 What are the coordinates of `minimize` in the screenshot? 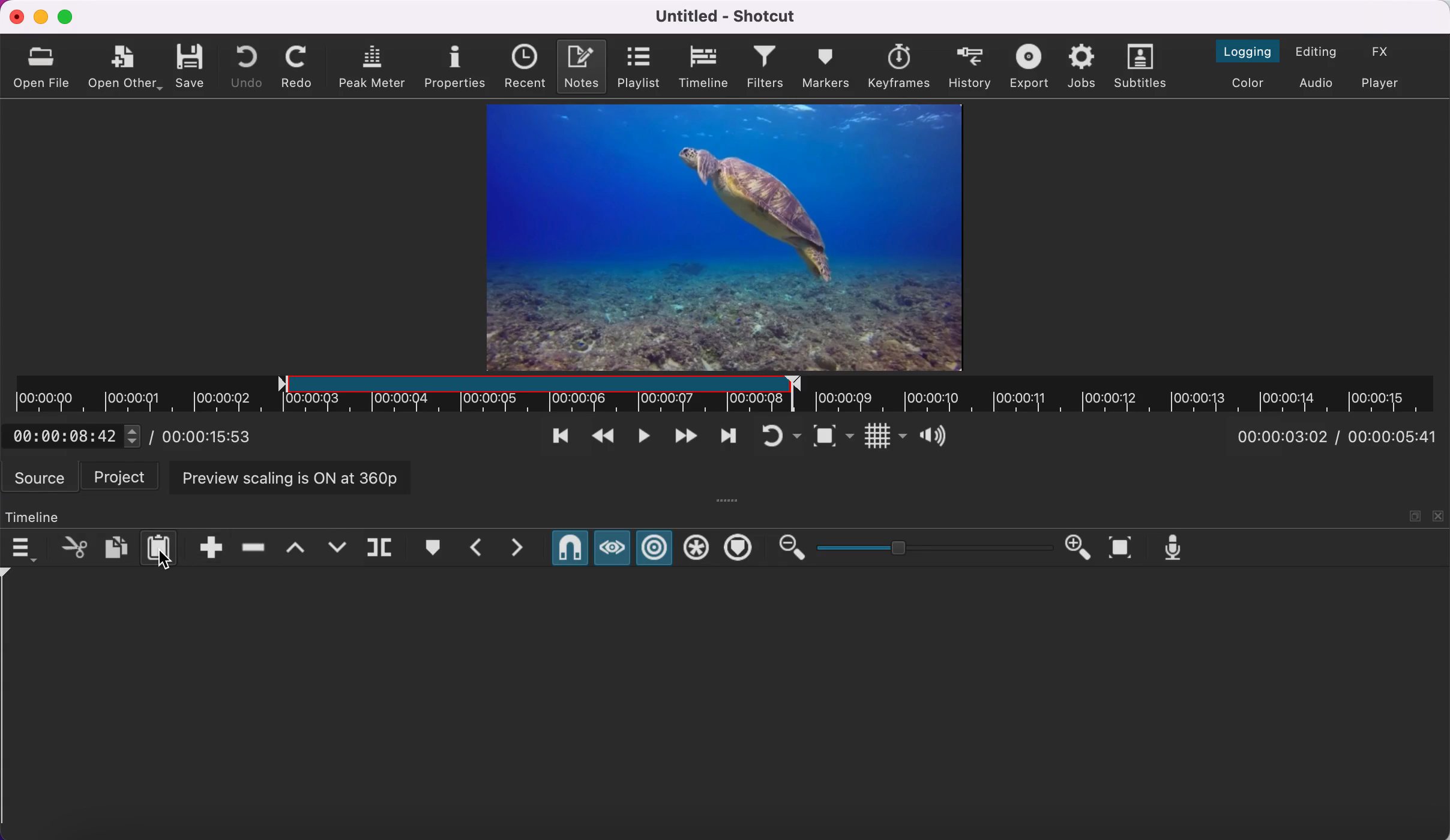 It's located at (41, 17).